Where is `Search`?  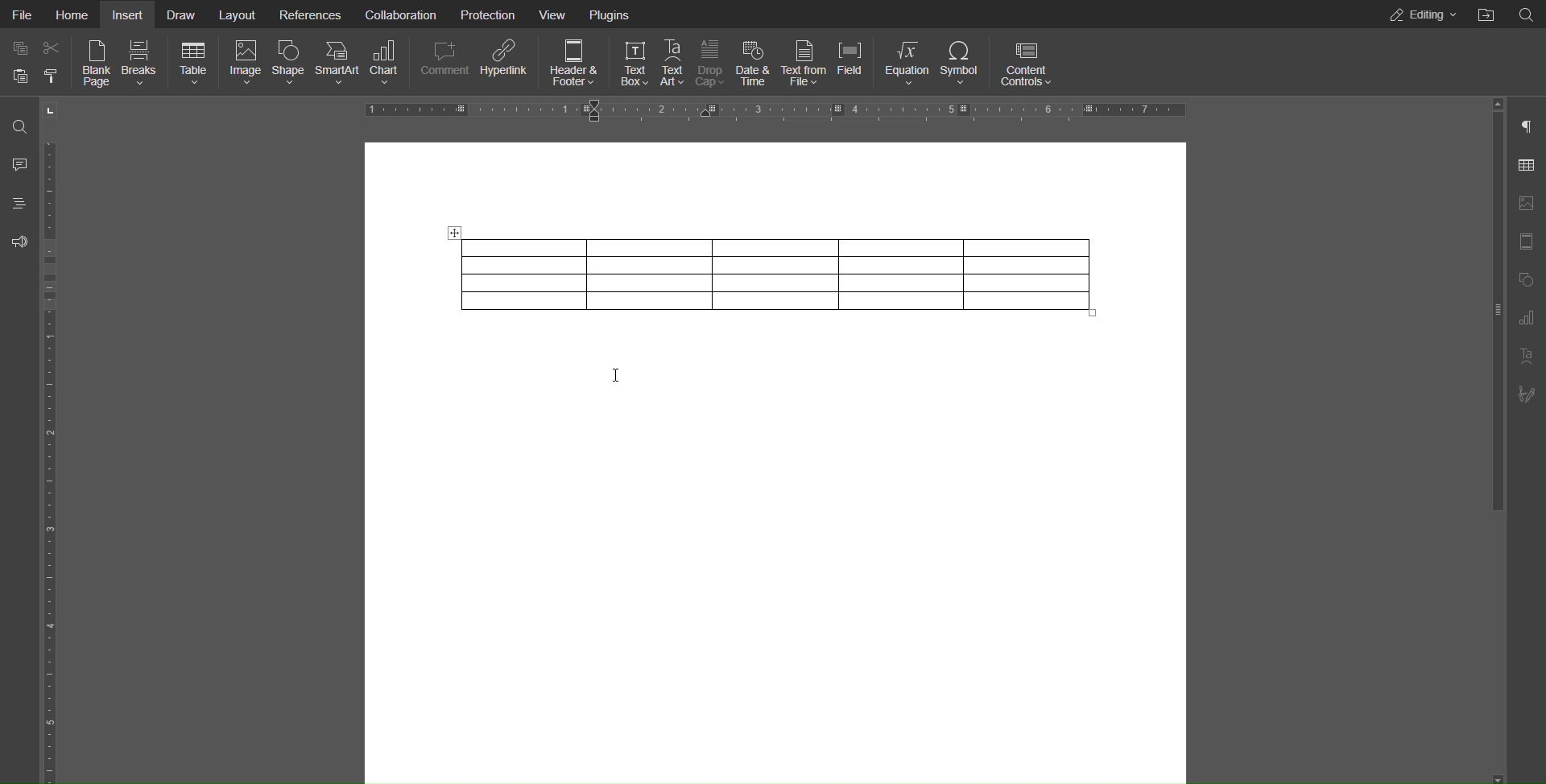 Search is located at coordinates (1525, 14).